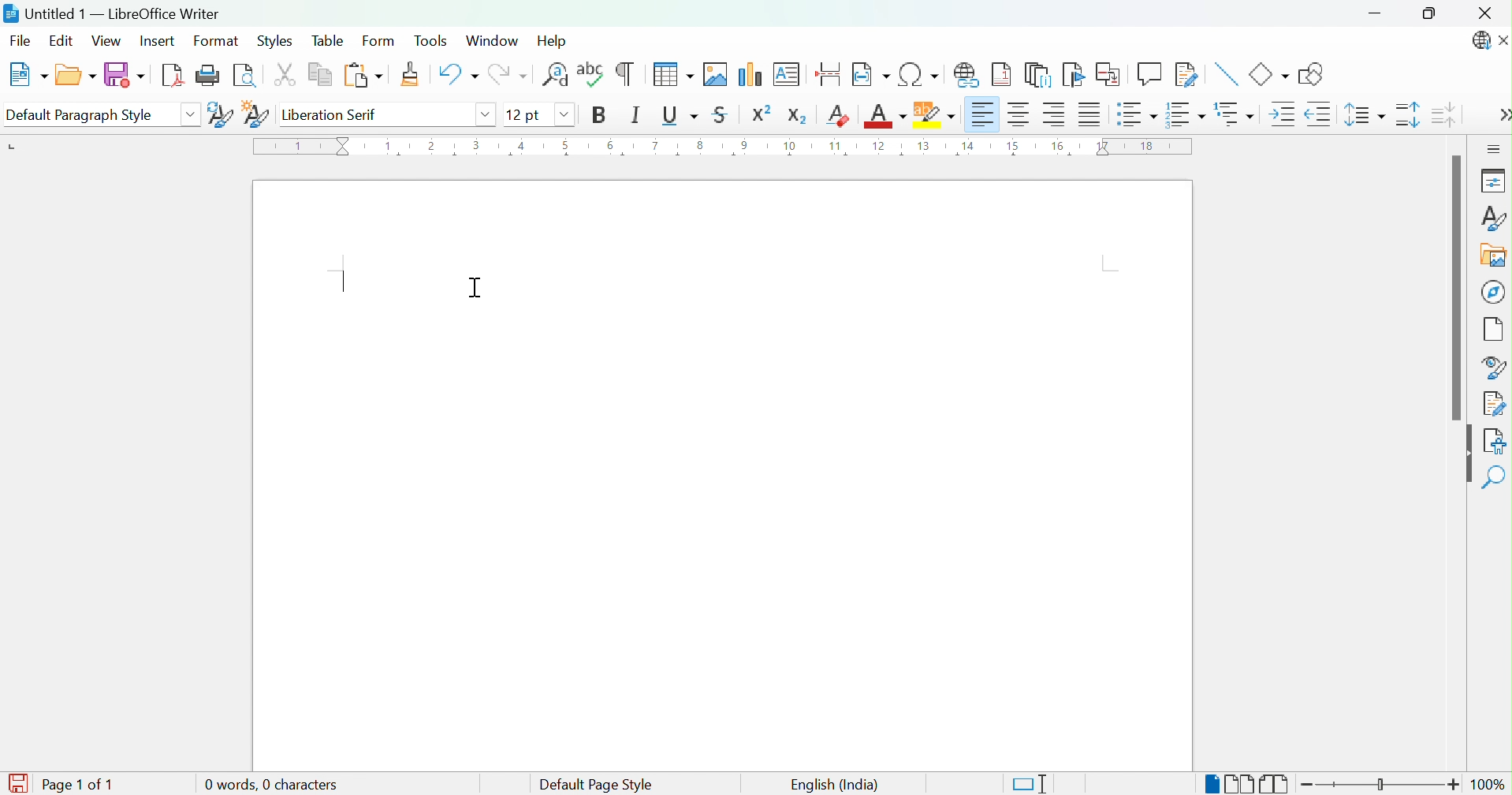 This screenshot has width=1512, height=795. Describe the element at coordinates (1497, 439) in the screenshot. I see `Accessibility Check` at that location.